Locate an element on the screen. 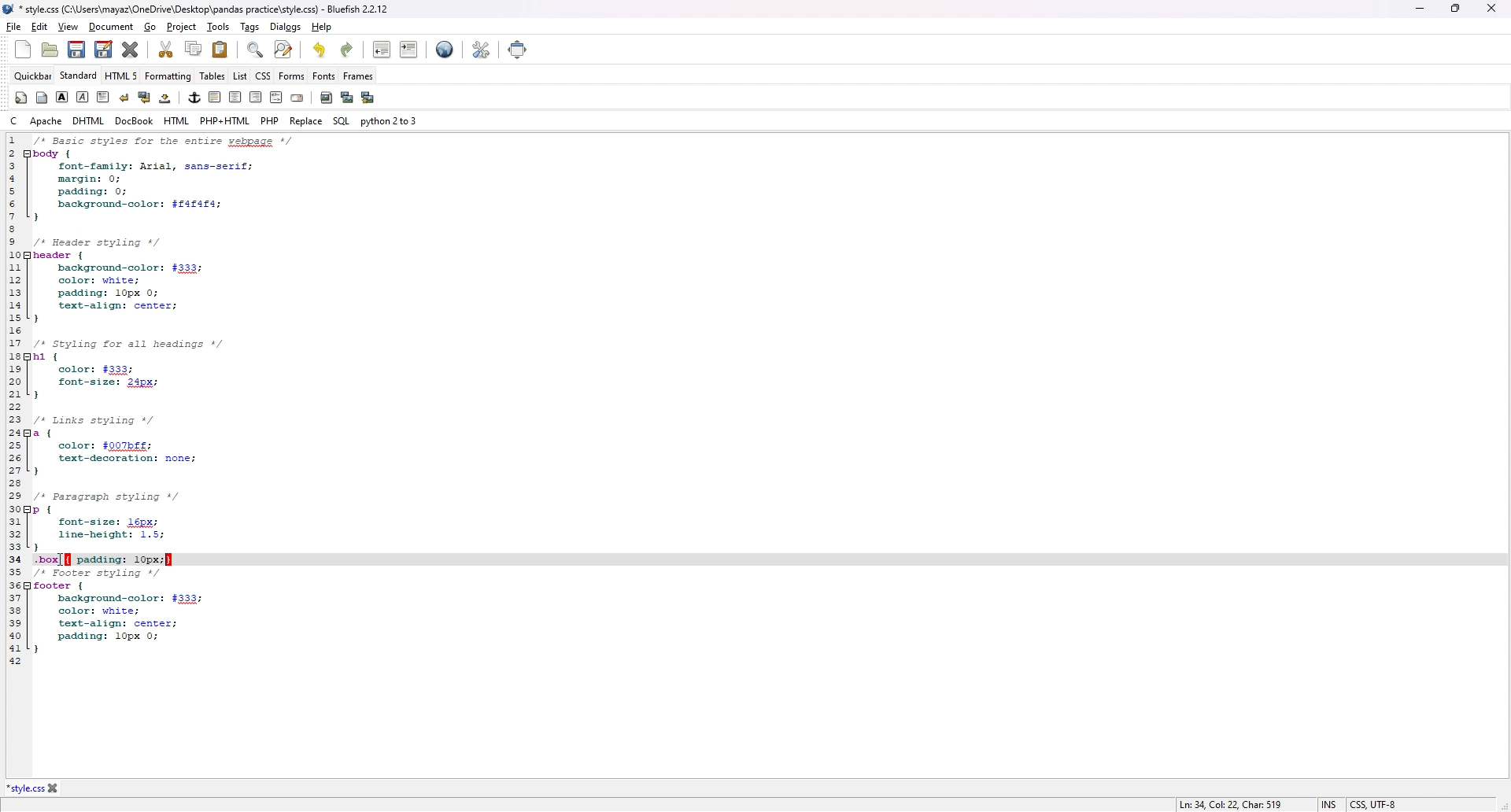 This screenshot has height=812, width=1511. right indent is located at coordinates (215, 97).